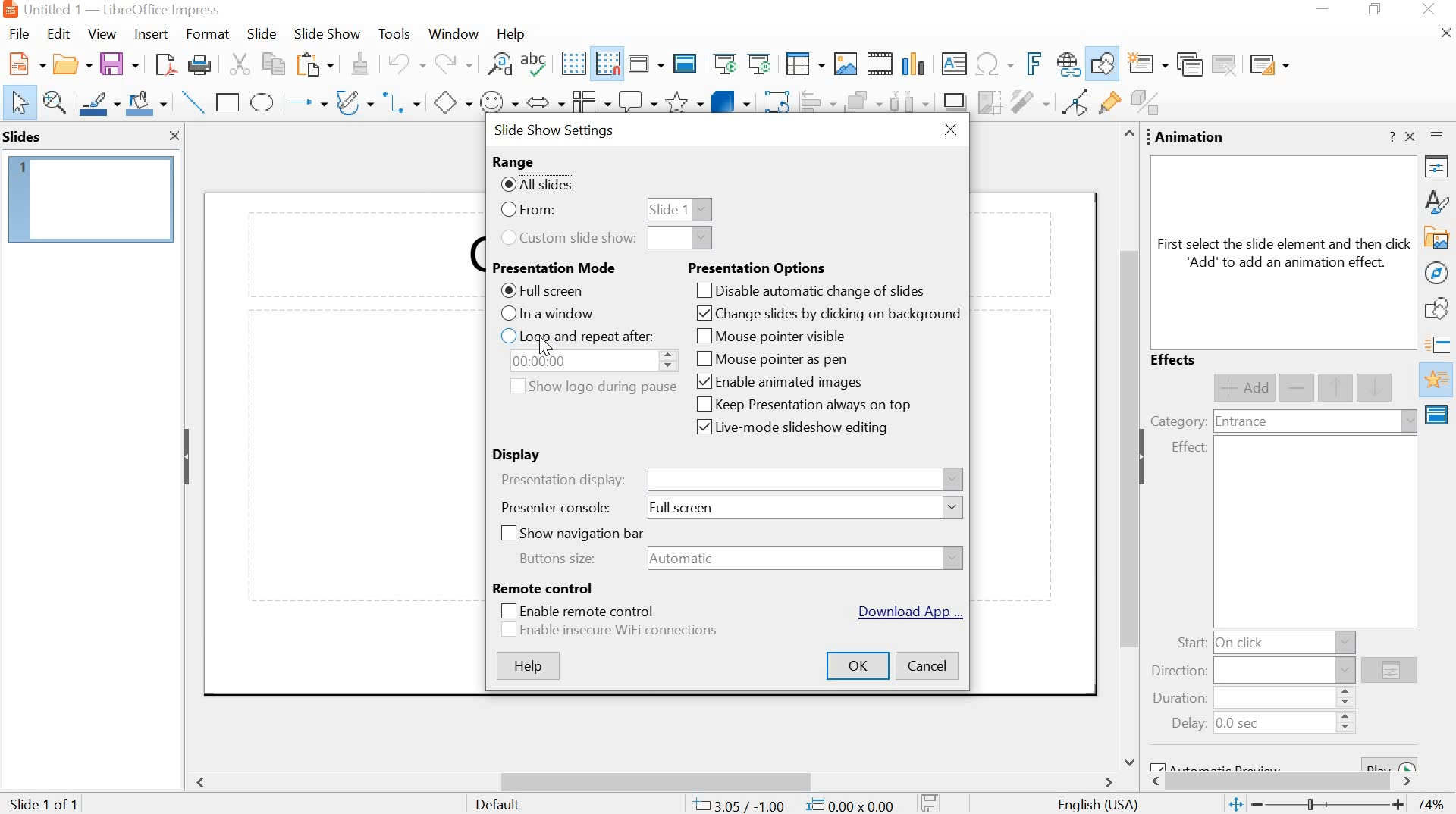  Describe the element at coordinates (845, 64) in the screenshot. I see `insert image` at that location.